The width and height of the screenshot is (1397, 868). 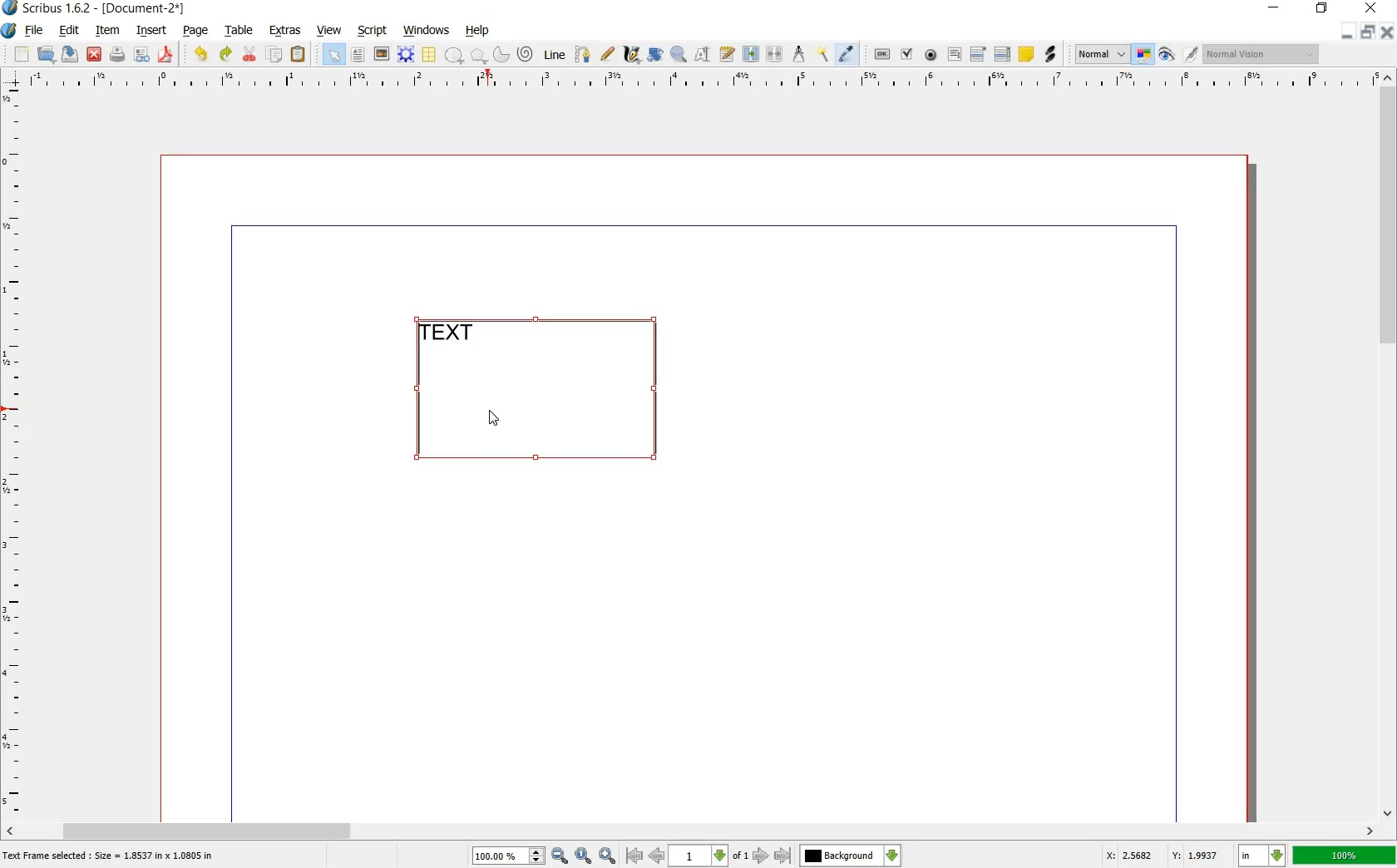 I want to click on restore, so click(x=1322, y=11).